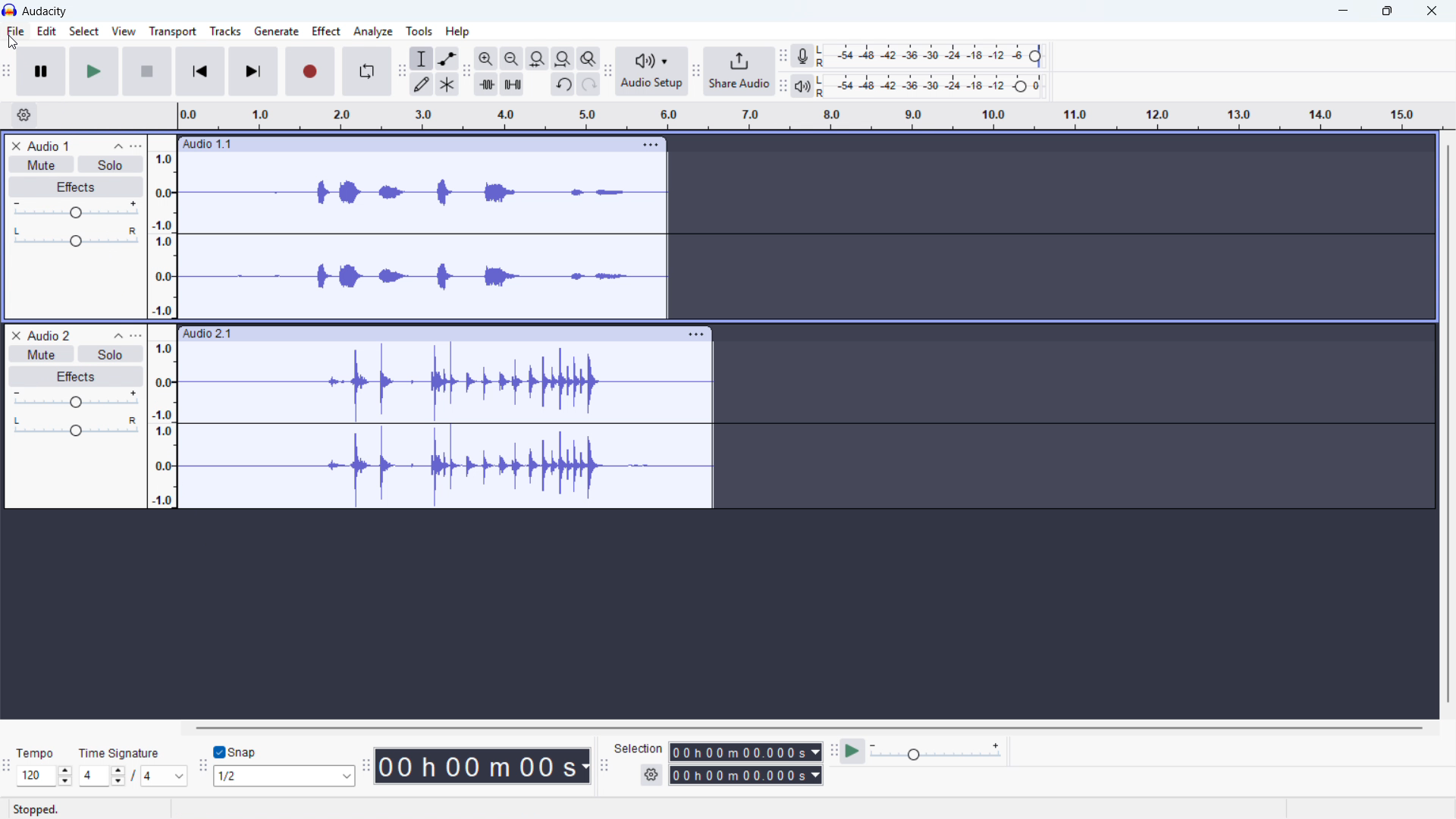 The width and height of the screenshot is (1456, 819). Describe the element at coordinates (309, 72) in the screenshot. I see `Record ` at that location.